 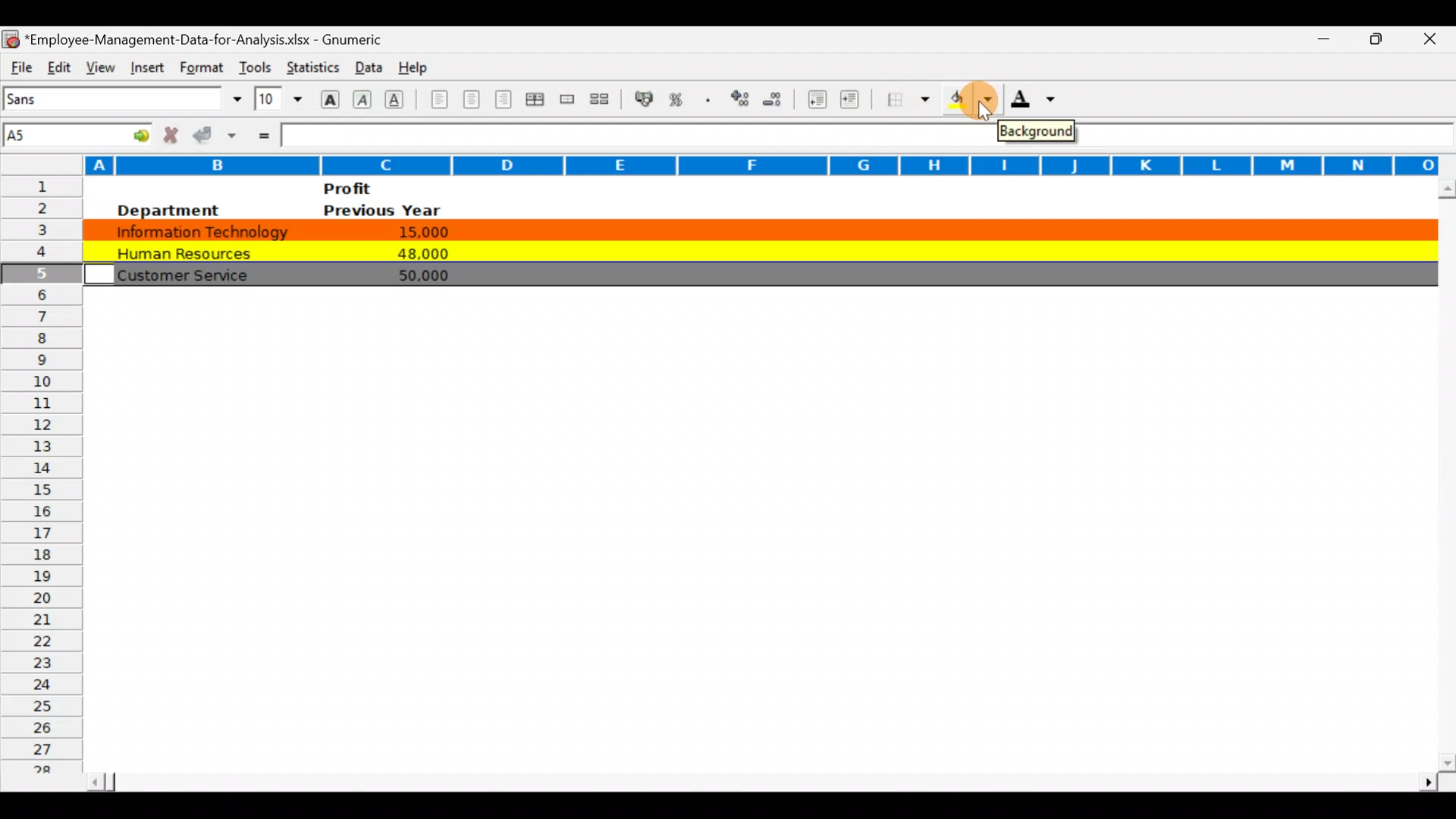 What do you see at coordinates (1443, 475) in the screenshot?
I see `Scroll bar` at bounding box center [1443, 475].